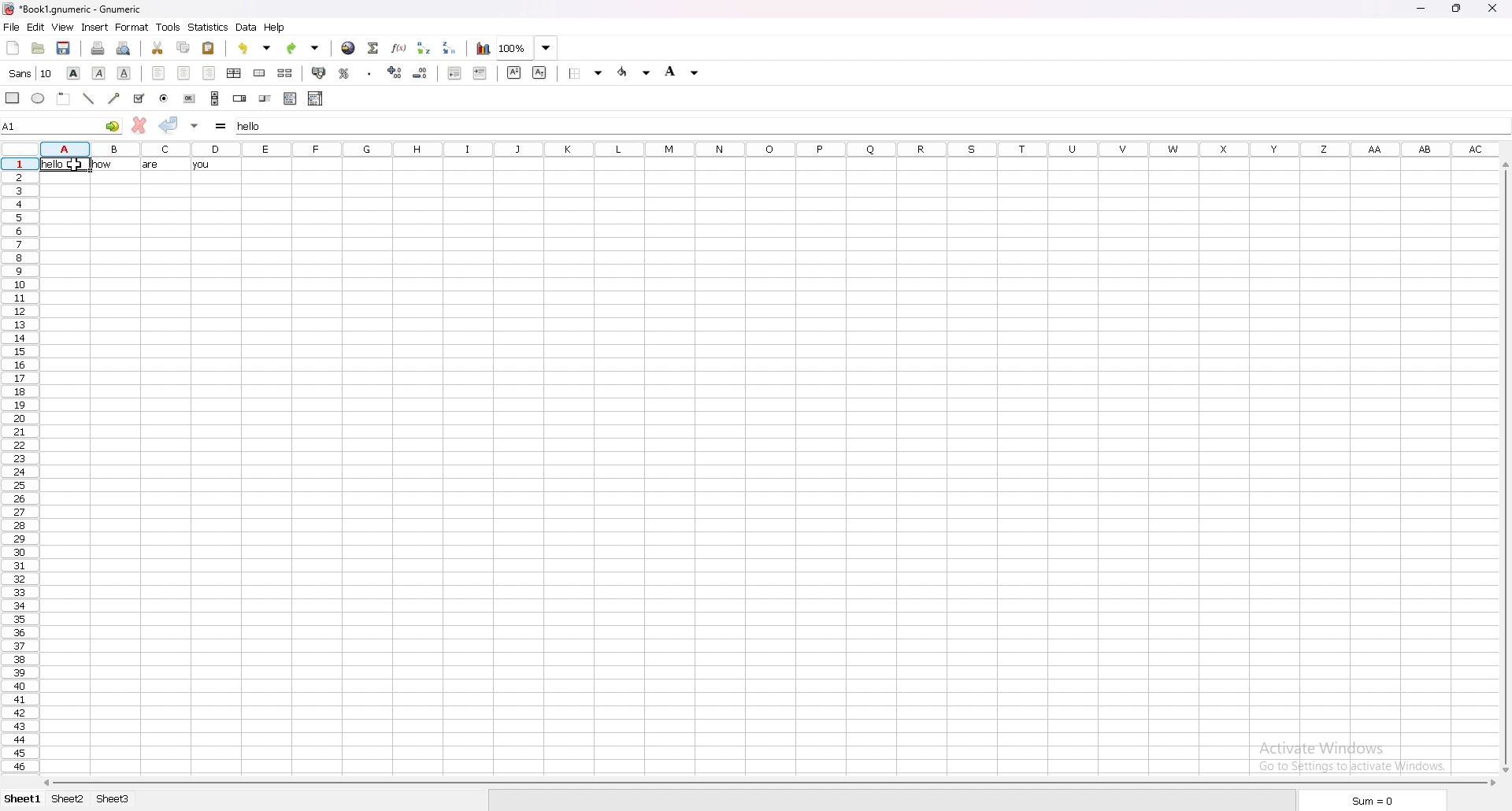  What do you see at coordinates (157, 46) in the screenshot?
I see `cut` at bounding box center [157, 46].